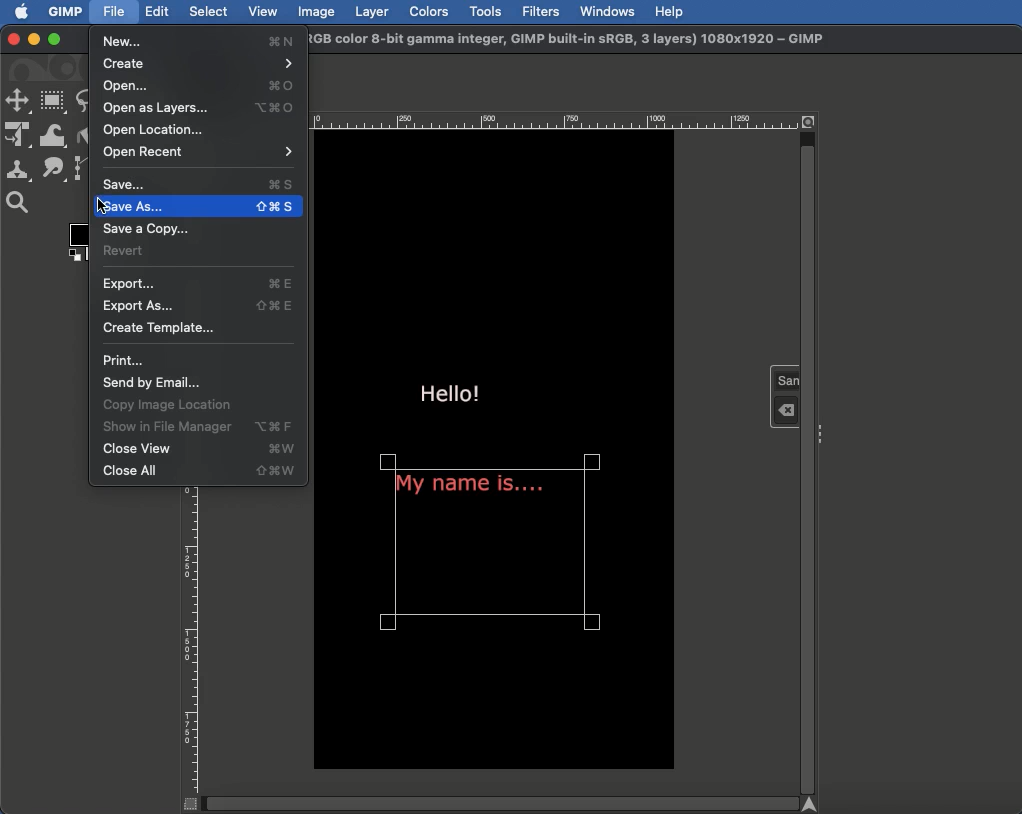 This screenshot has width=1022, height=814. I want to click on Apple logo, so click(22, 13).